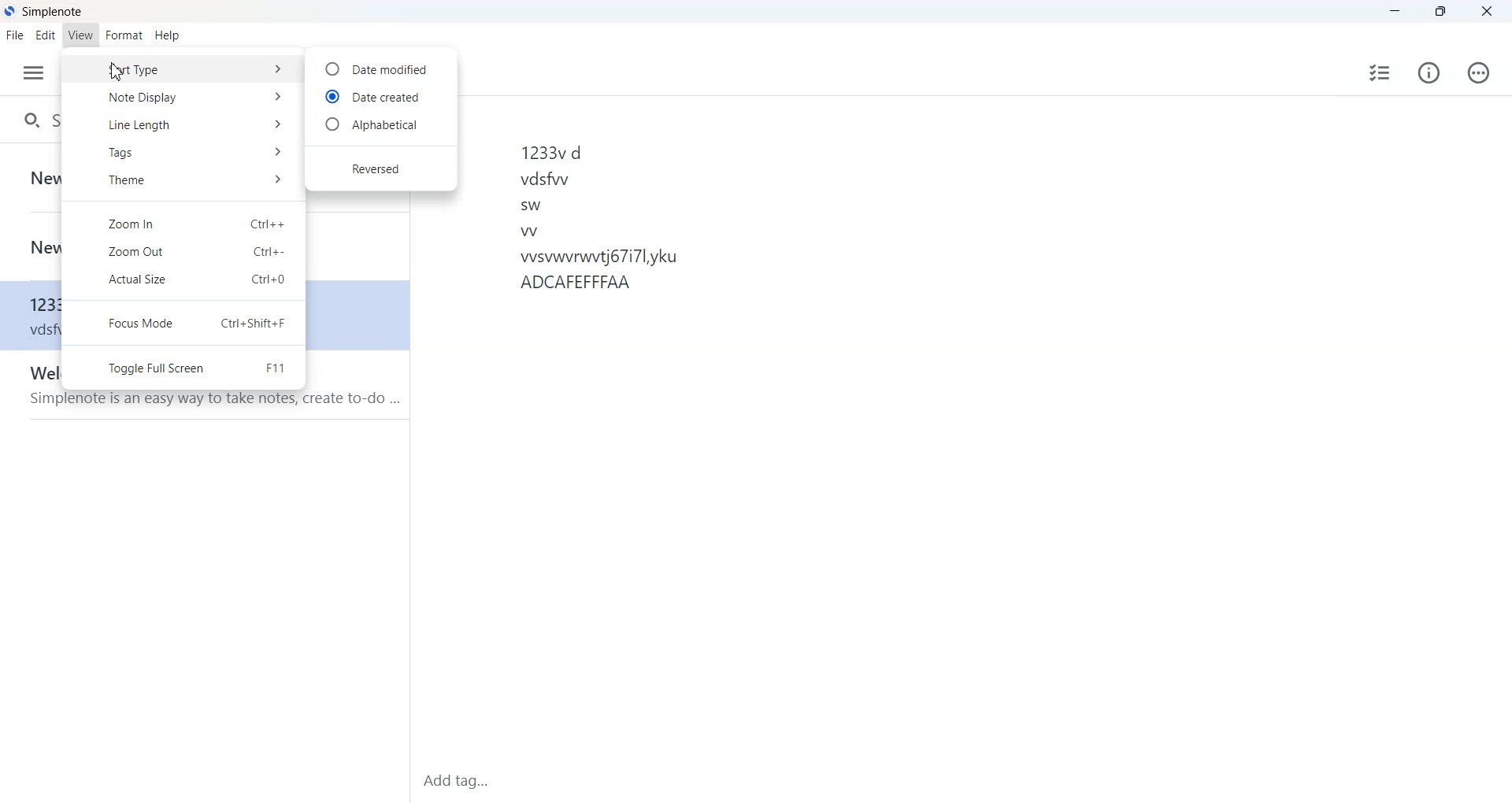  I want to click on Close, so click(1485, 12).